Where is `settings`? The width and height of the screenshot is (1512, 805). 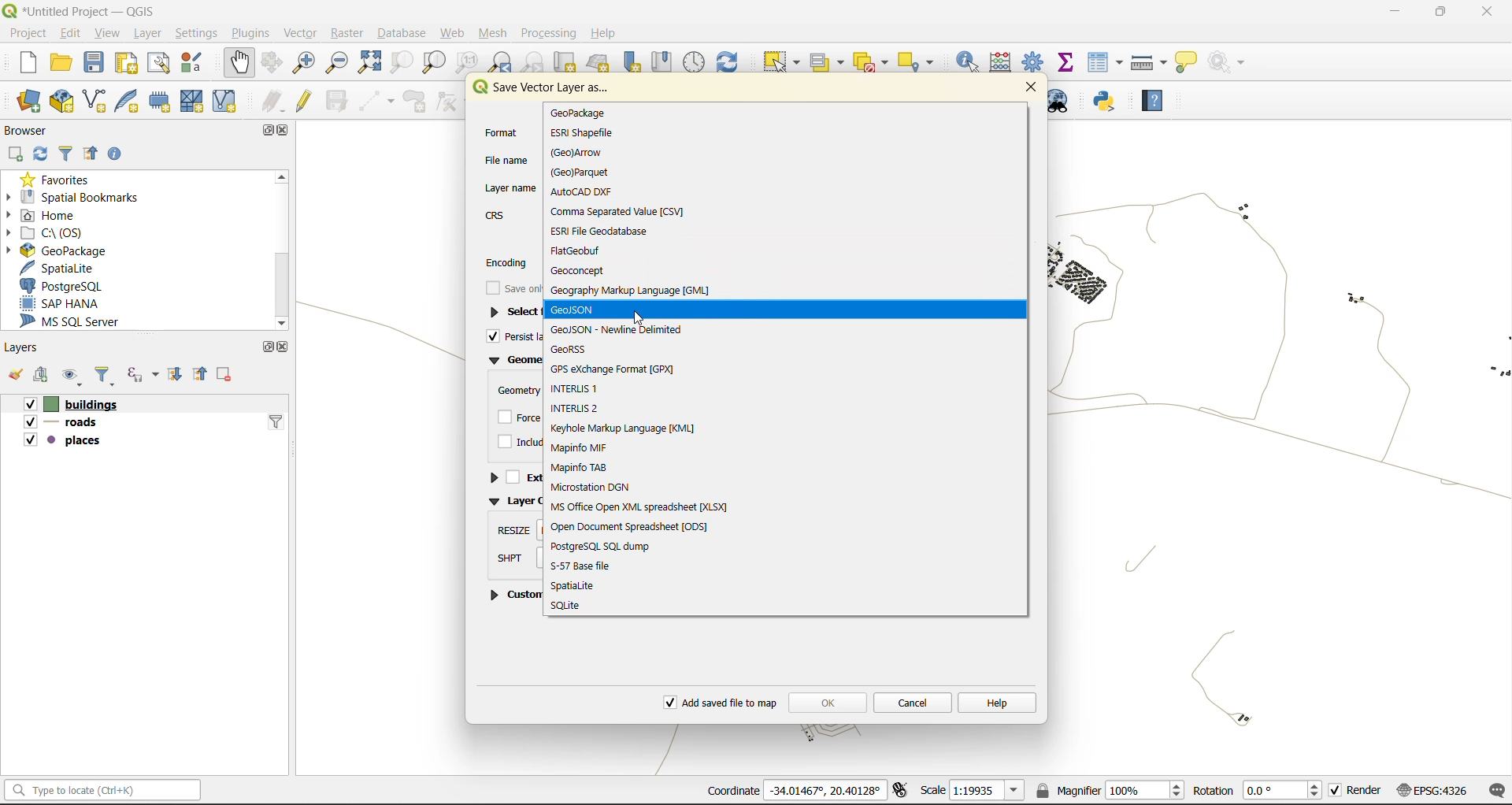 settings is located at coordinates (198, 32).